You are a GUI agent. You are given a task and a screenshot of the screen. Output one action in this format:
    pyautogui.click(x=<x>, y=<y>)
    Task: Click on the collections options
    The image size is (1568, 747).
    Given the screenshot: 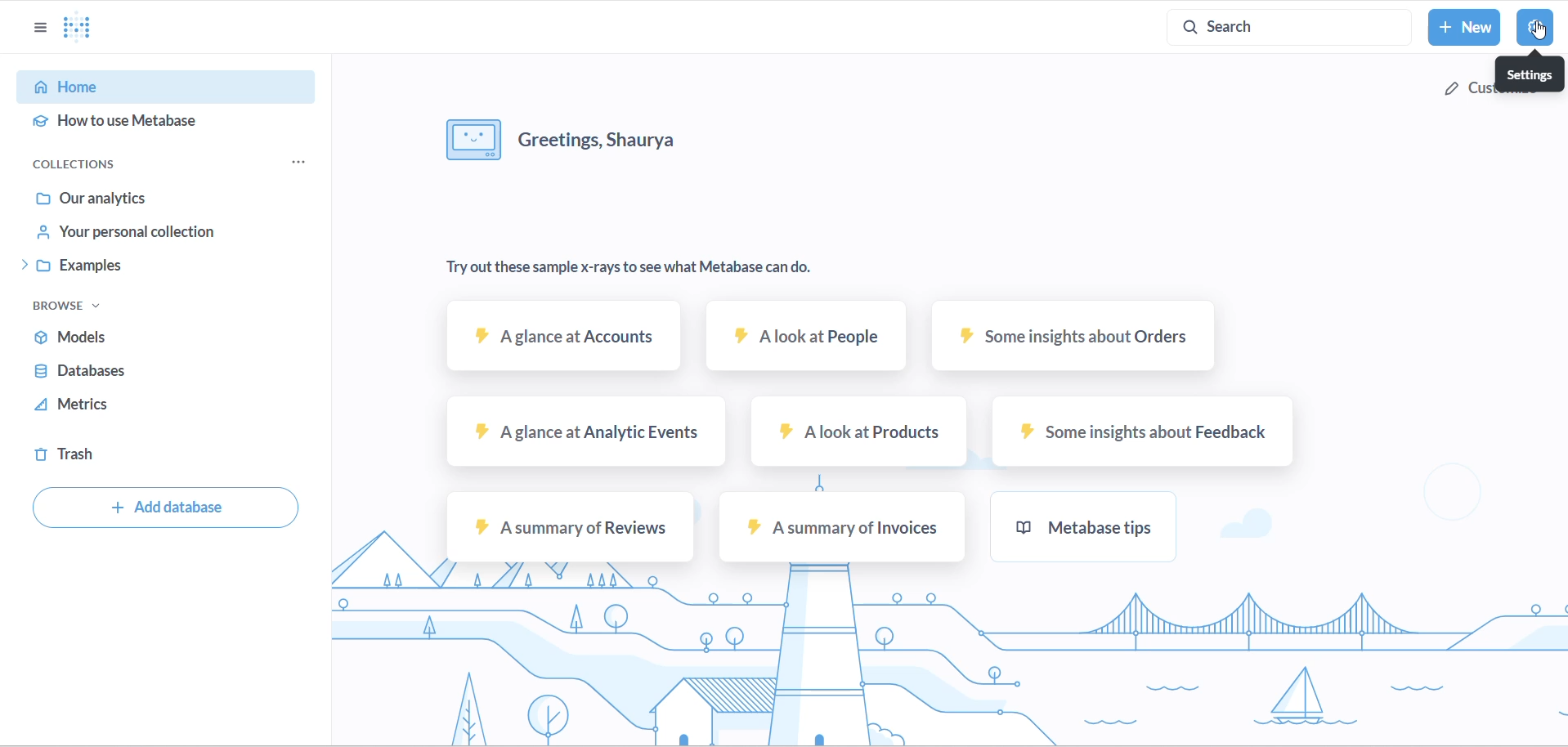 What is the action you would take?
    pyautogui.click(x=307, y=161)
    